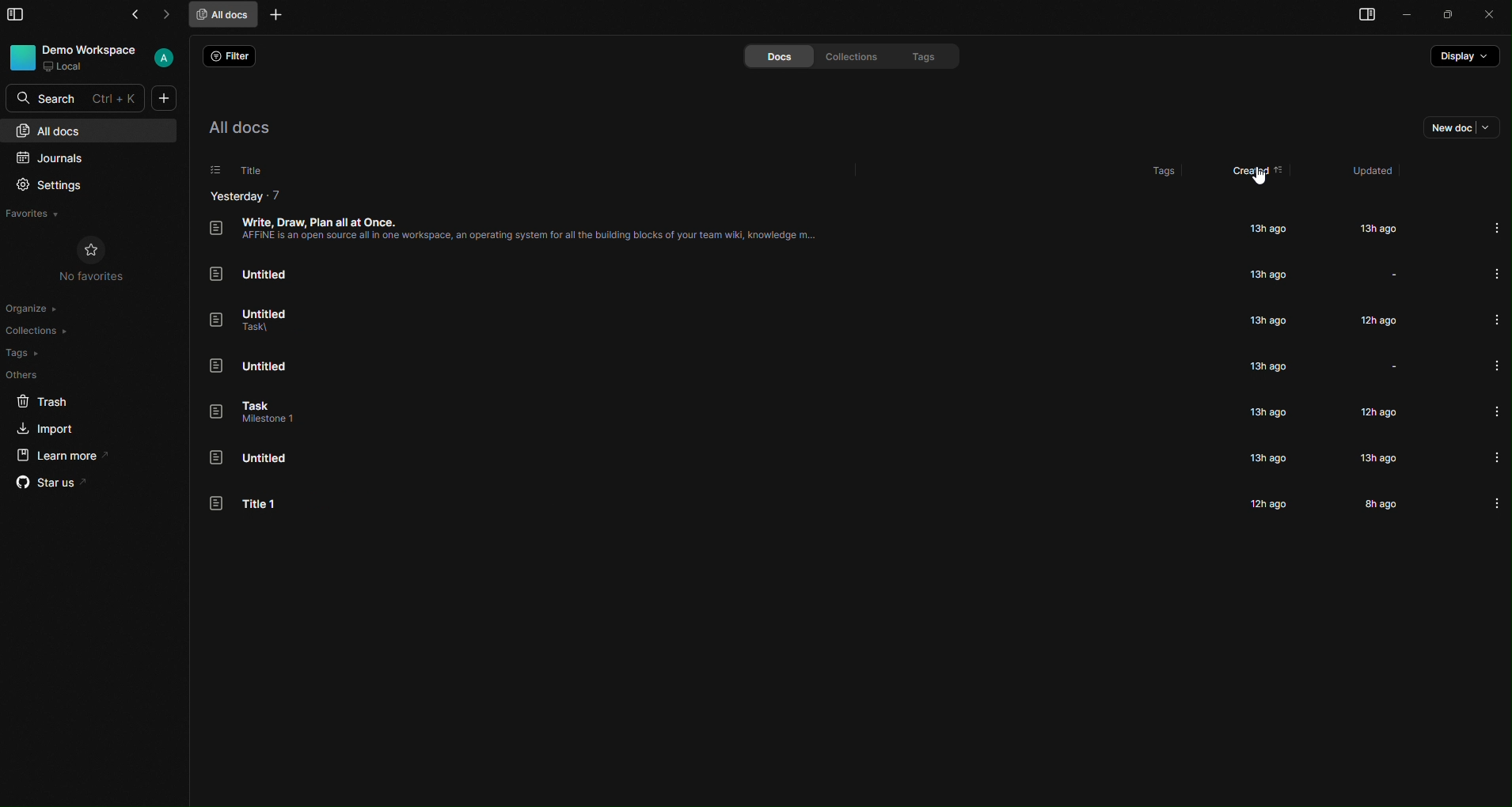 This screenshot has width=1512, height=807. Describe the element at coordinates (259, 317) in the screenshot. I see `Untitled` at that location.